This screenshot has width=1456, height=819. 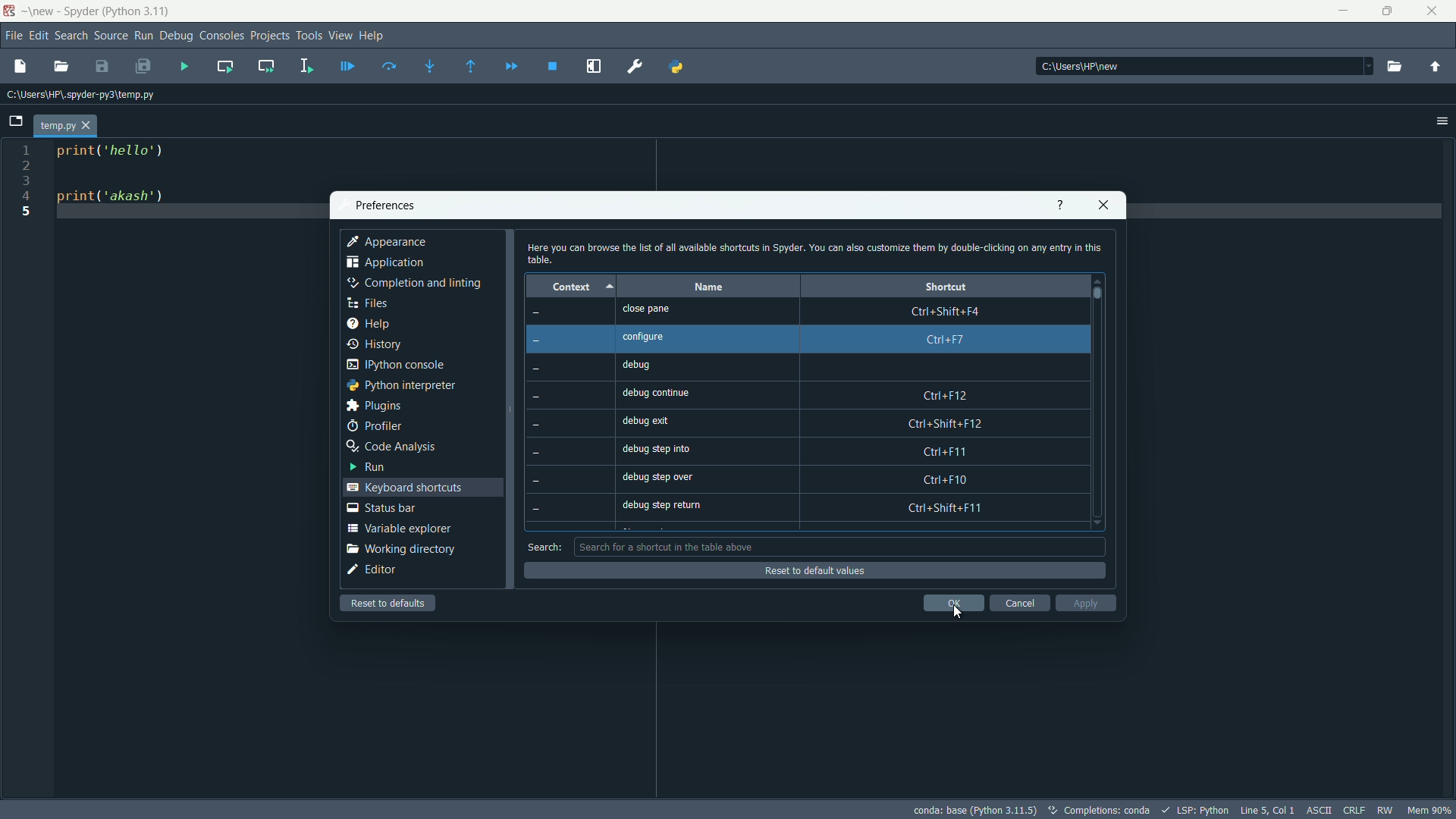 What do you see at coordinates (544, 548) in the screenshot?
I see `search` at bounding box center [544, 548].